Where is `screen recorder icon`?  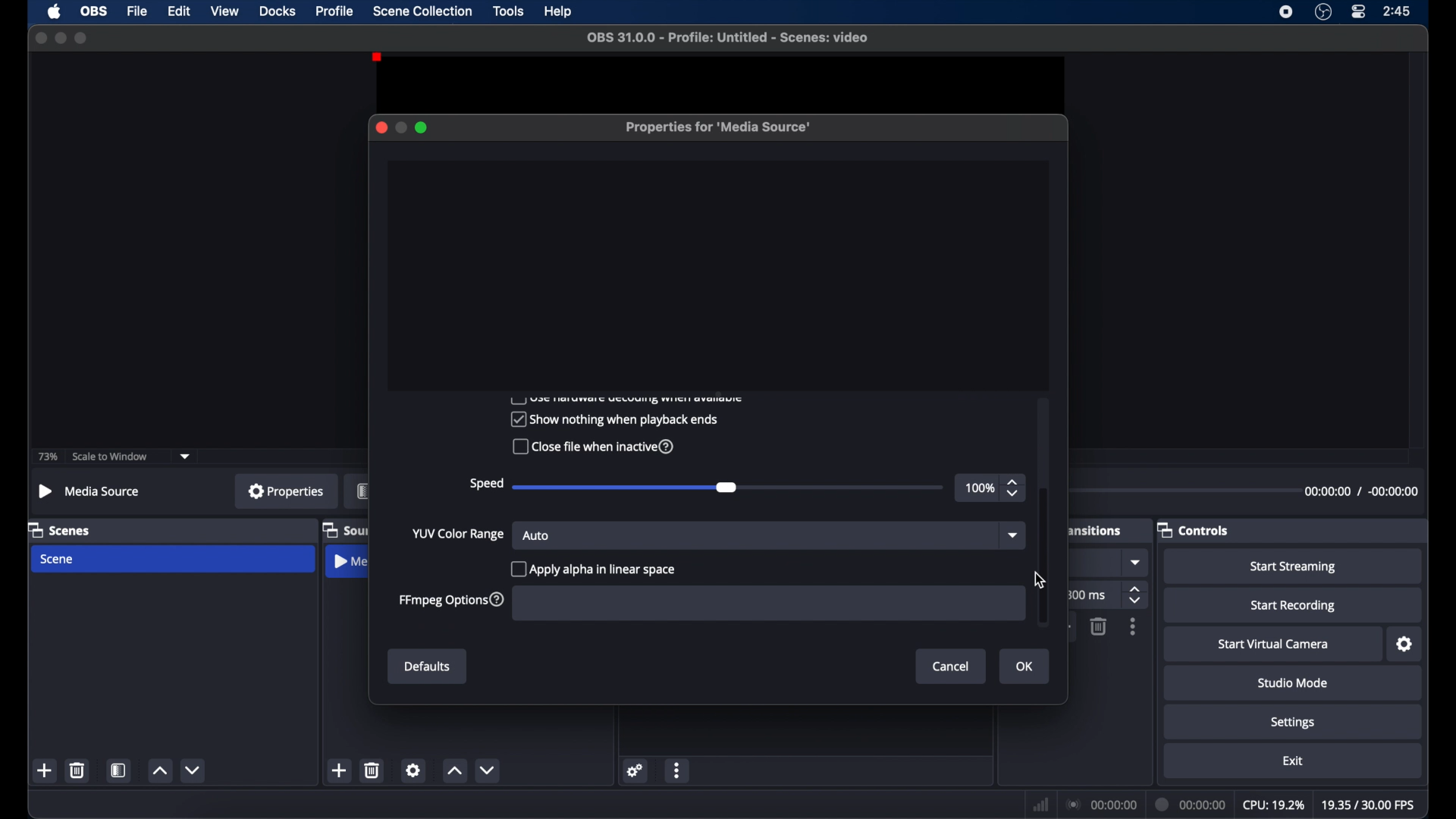 screen recorder icon is located at coordinates (1286, 11).